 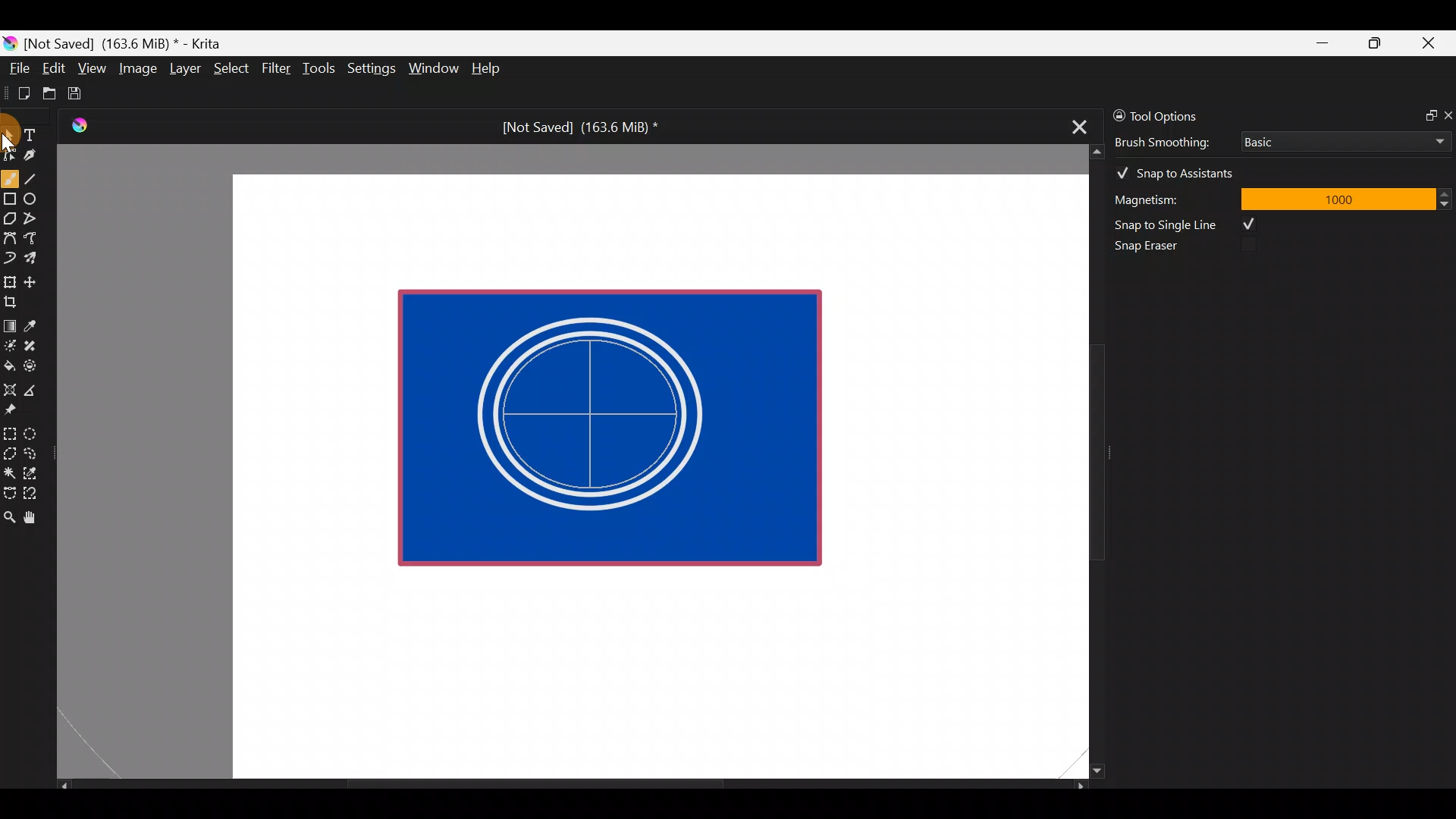 What do you see at coordinates (572, 786) in the screenshot?
I see `Scroll bar` at bounding box center [572, 786].